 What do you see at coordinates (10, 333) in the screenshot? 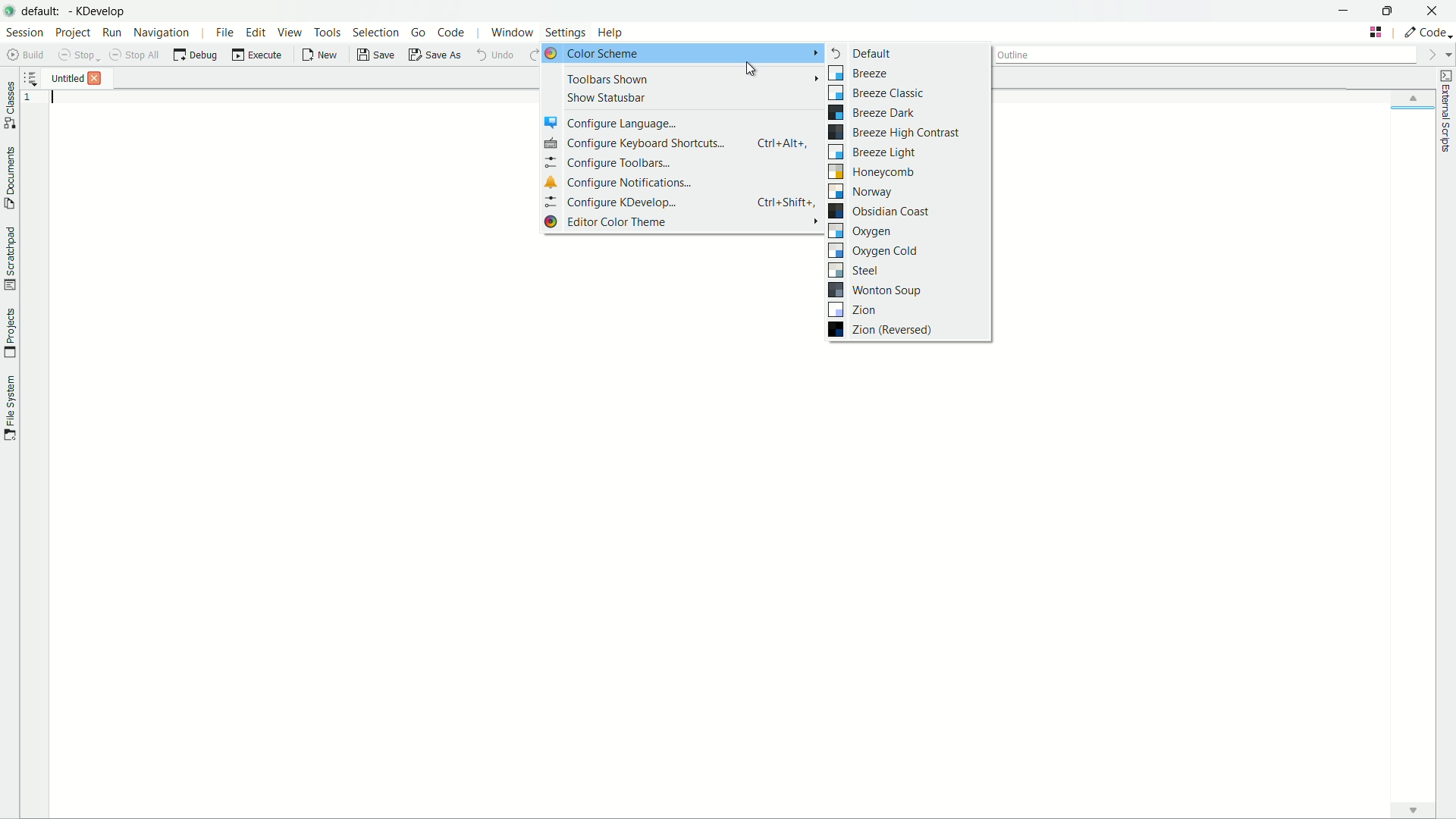
I see `toggle projects` at bounding box center [10, 333].